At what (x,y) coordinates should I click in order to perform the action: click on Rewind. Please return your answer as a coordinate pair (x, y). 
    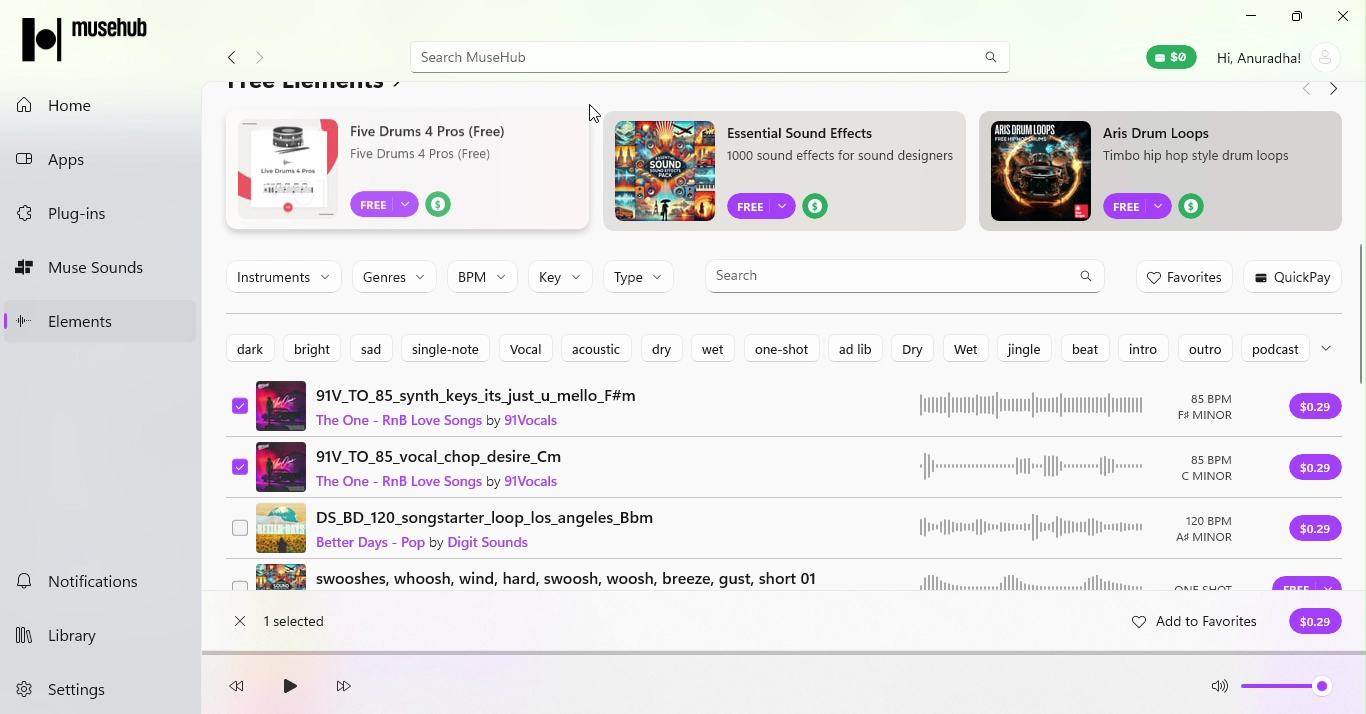
    Looking at the image, I should click on (242, 689).